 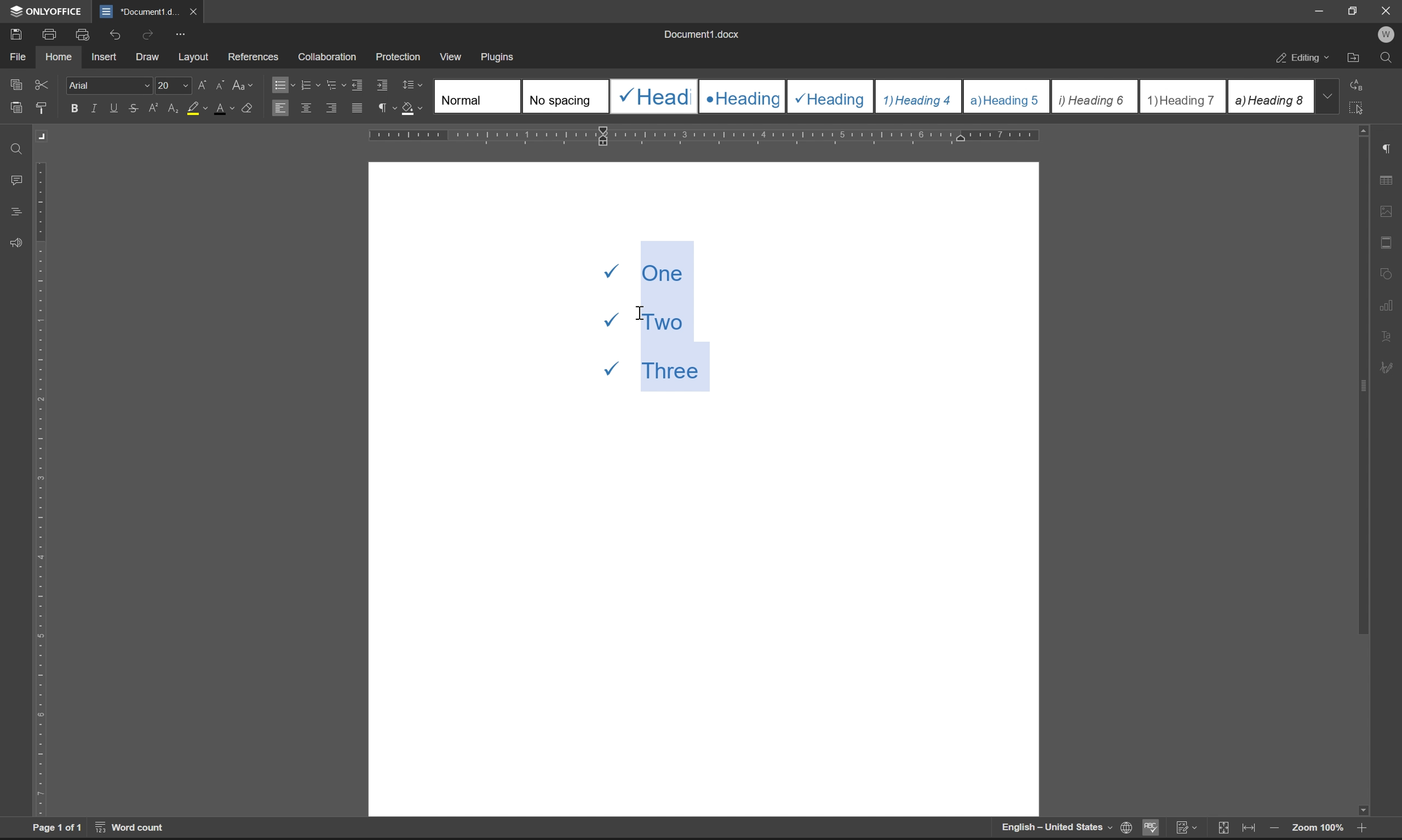 What do you see at coordinates (108, 84) in the screenshot?
I see `Arial` at bounding box center [108, 84].